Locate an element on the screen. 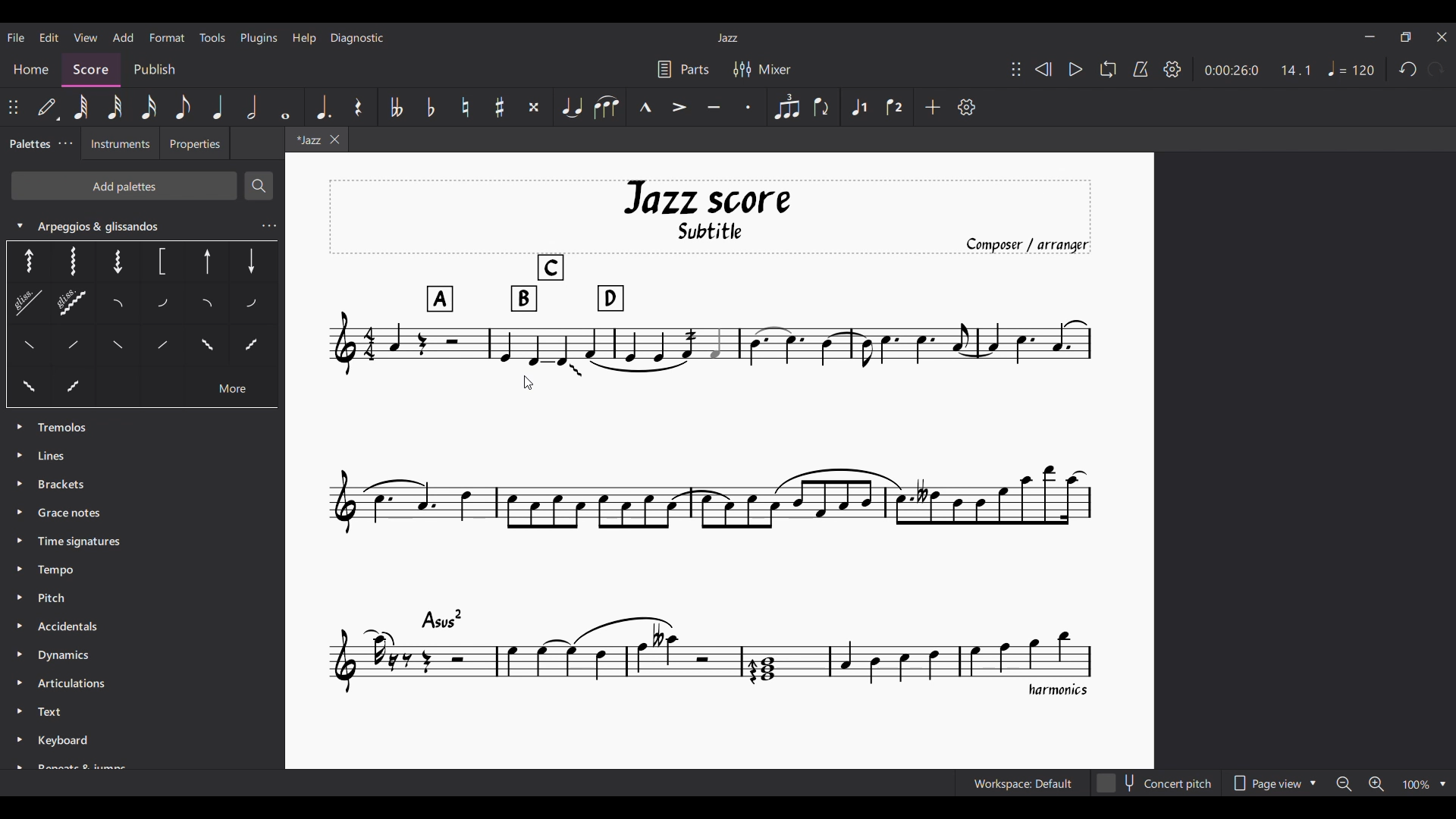 This screenshot has width=1456, height=819. Tuplet is located at coordinates (787, 108).